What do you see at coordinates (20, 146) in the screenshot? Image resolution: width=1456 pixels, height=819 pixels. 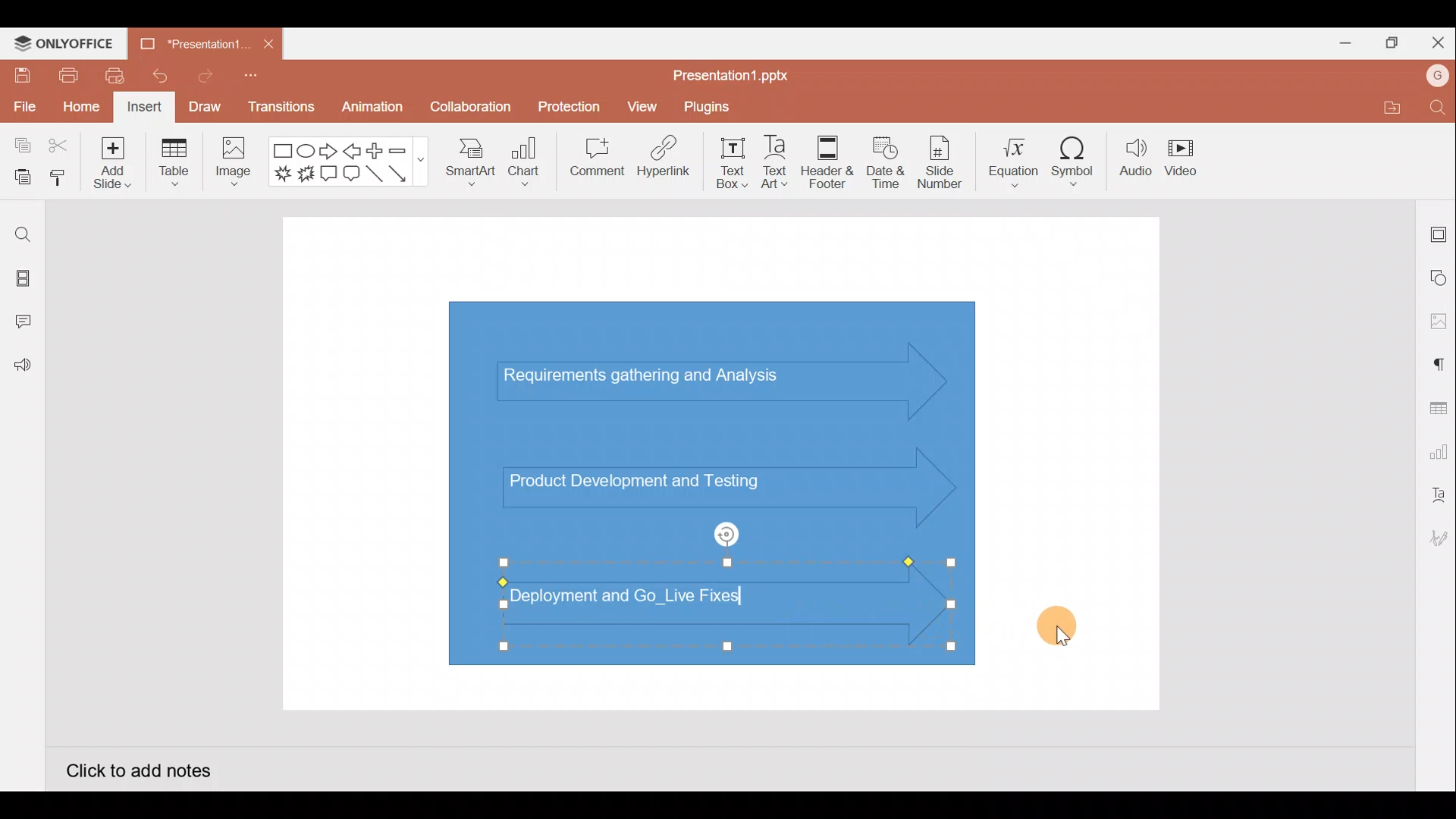 I see `Copy` at bounding box center [20, 146].